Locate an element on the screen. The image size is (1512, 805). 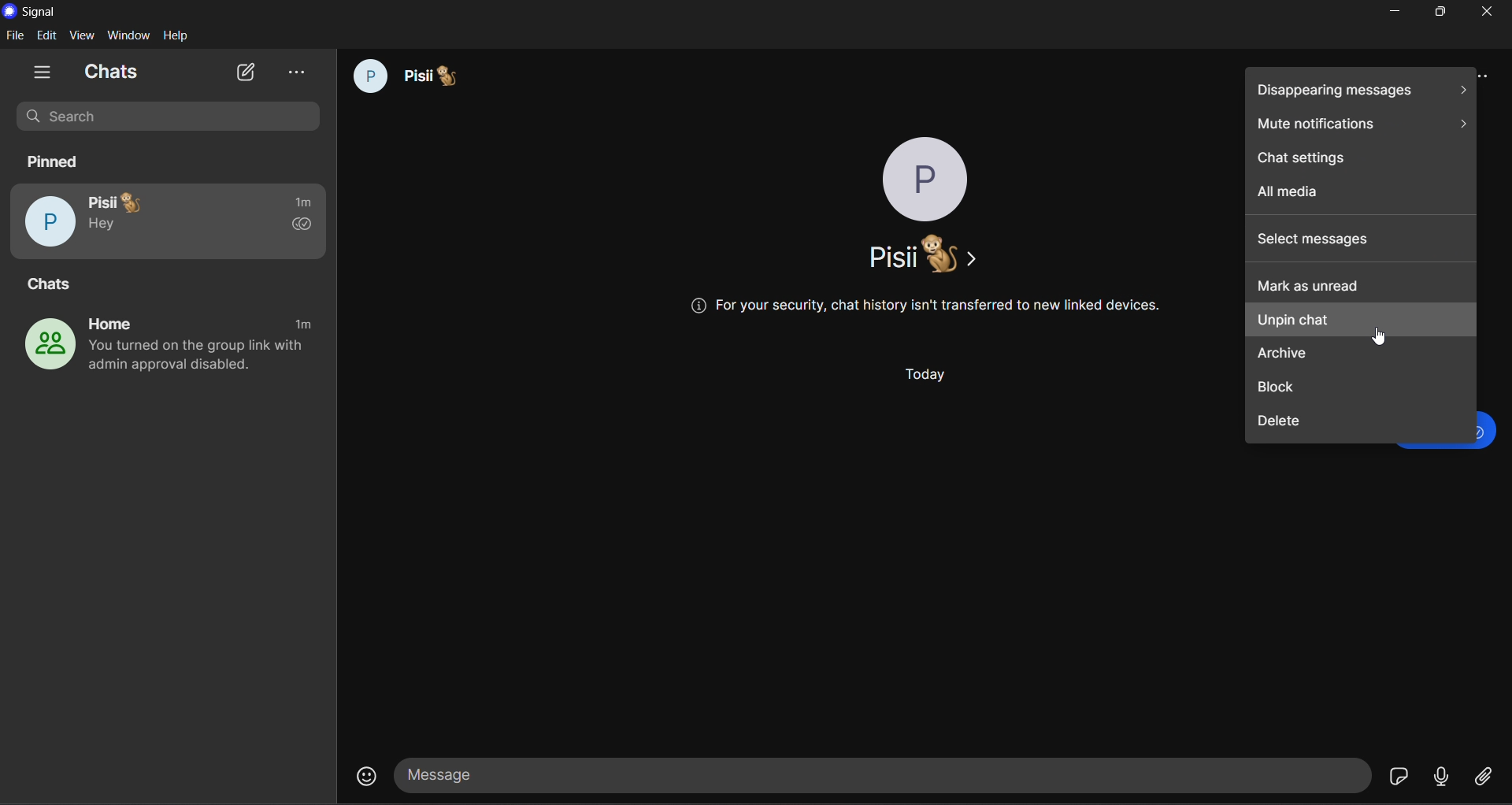
chats is located at coordinates (109, 69).